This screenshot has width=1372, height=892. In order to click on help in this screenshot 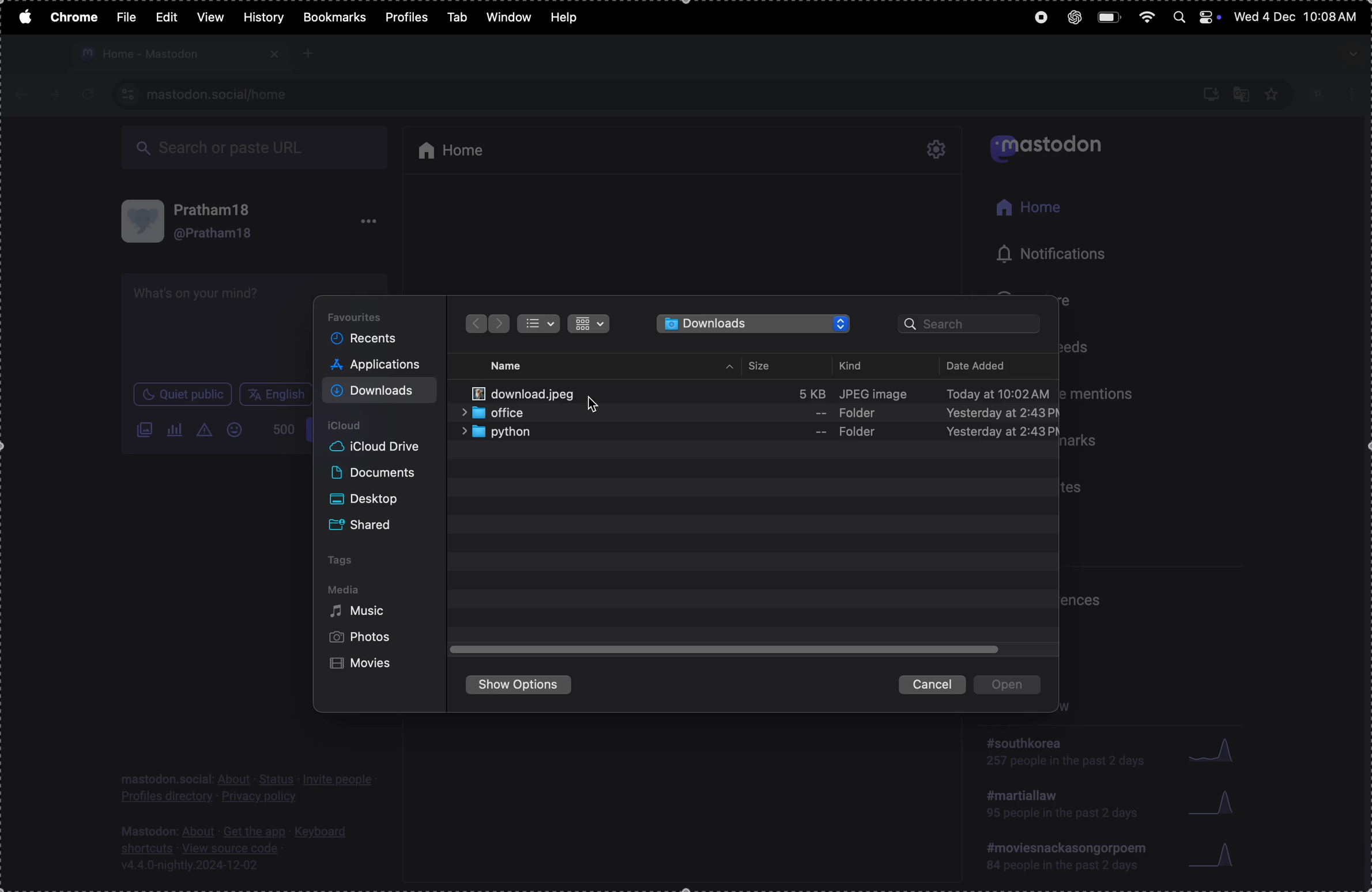, I will do `click(570, 14)`.